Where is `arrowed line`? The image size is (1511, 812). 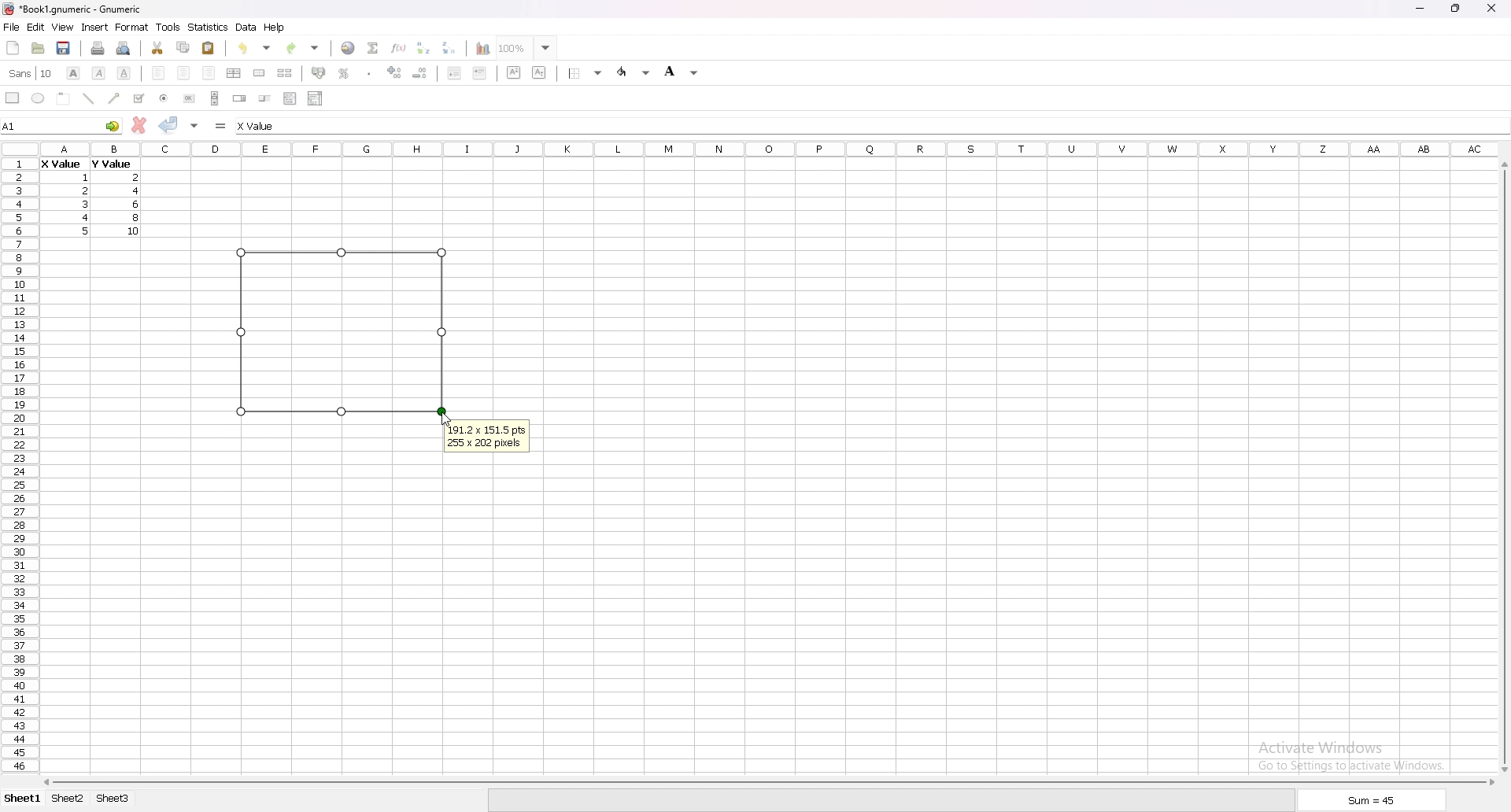
arrowed line is located at coordinates (115, 98).